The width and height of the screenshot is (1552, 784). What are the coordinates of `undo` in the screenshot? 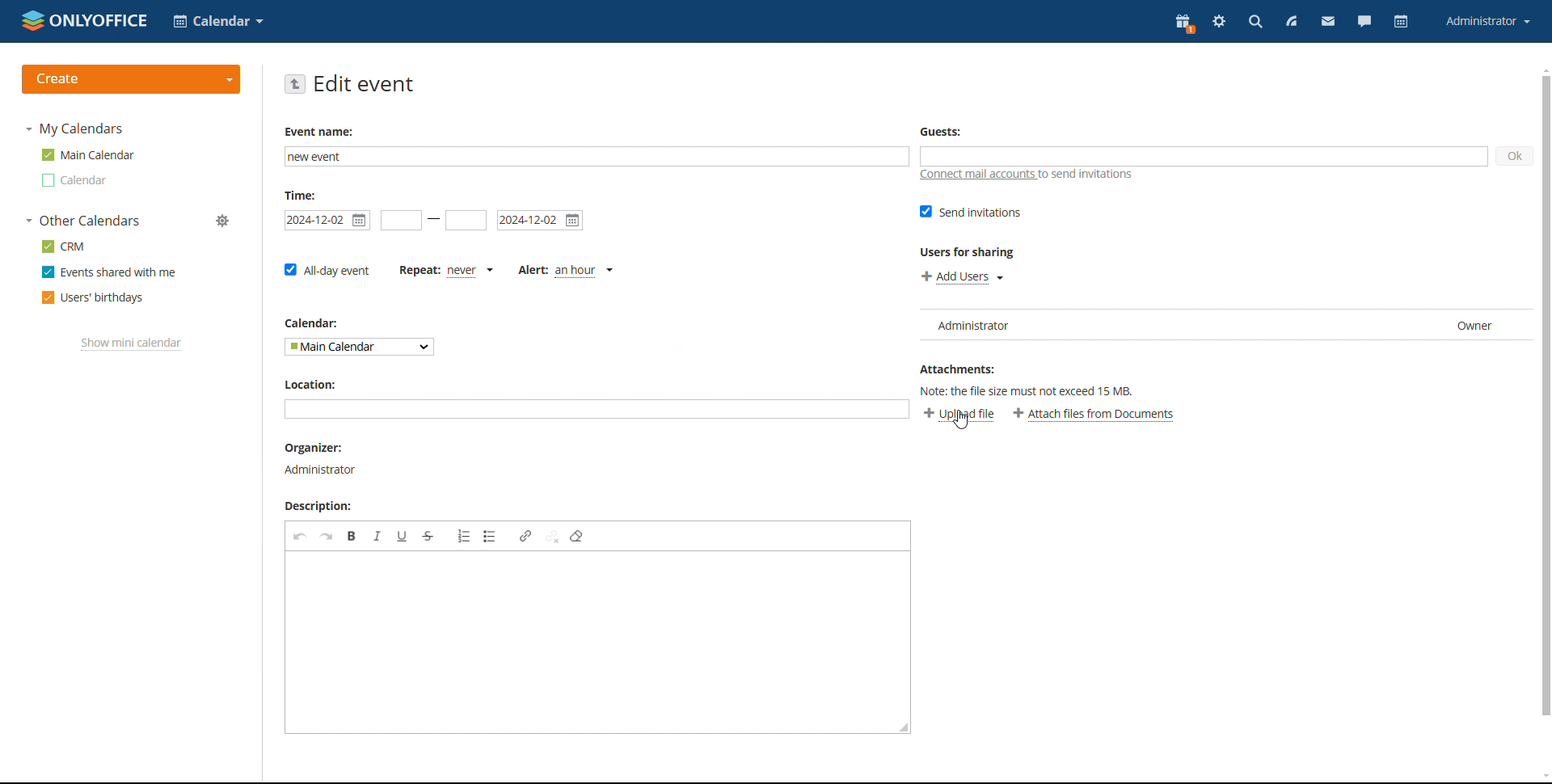 It's located at (300, 536).